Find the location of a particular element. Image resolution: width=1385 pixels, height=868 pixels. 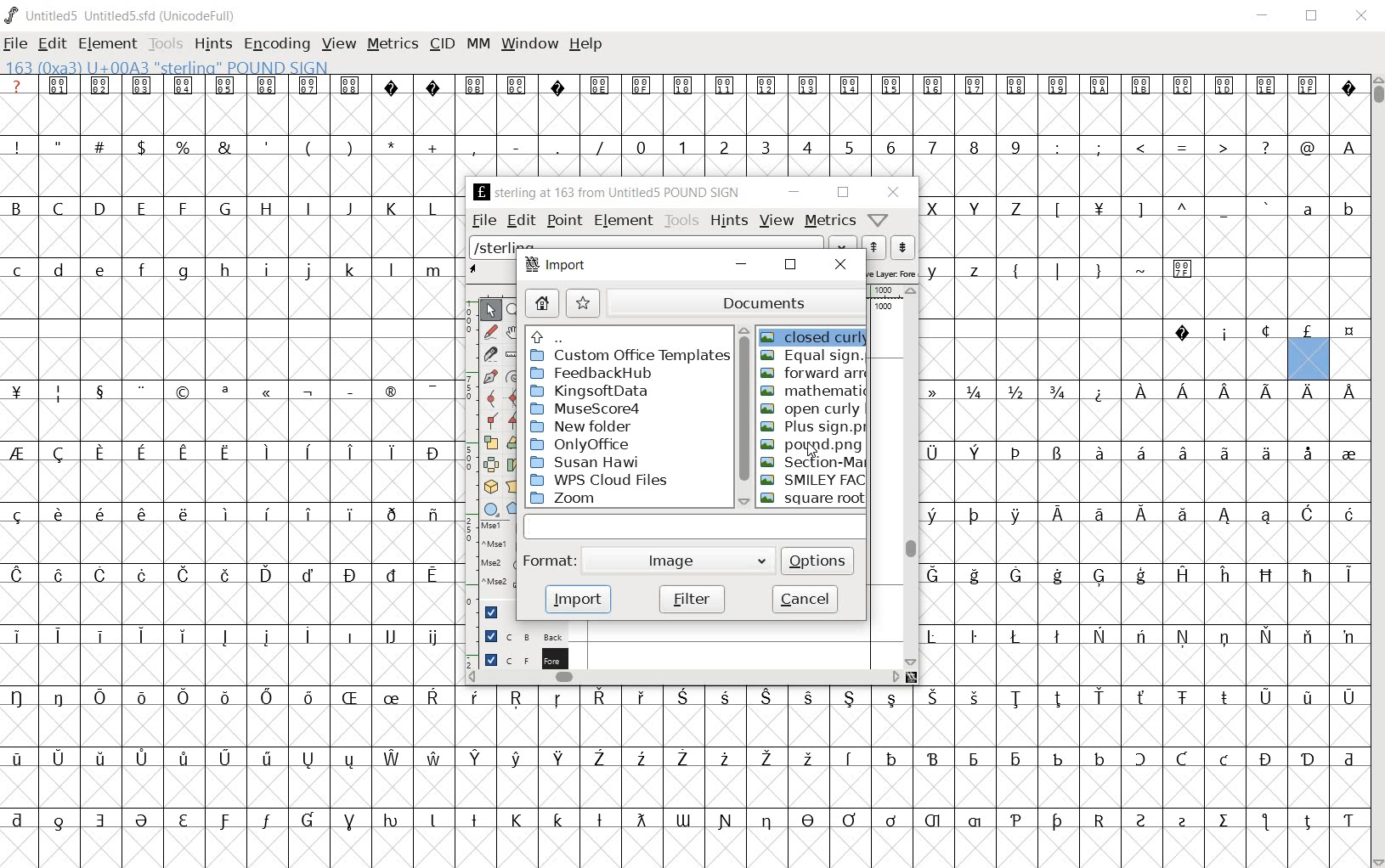

Symbol is located at coordinates (1269, 87).